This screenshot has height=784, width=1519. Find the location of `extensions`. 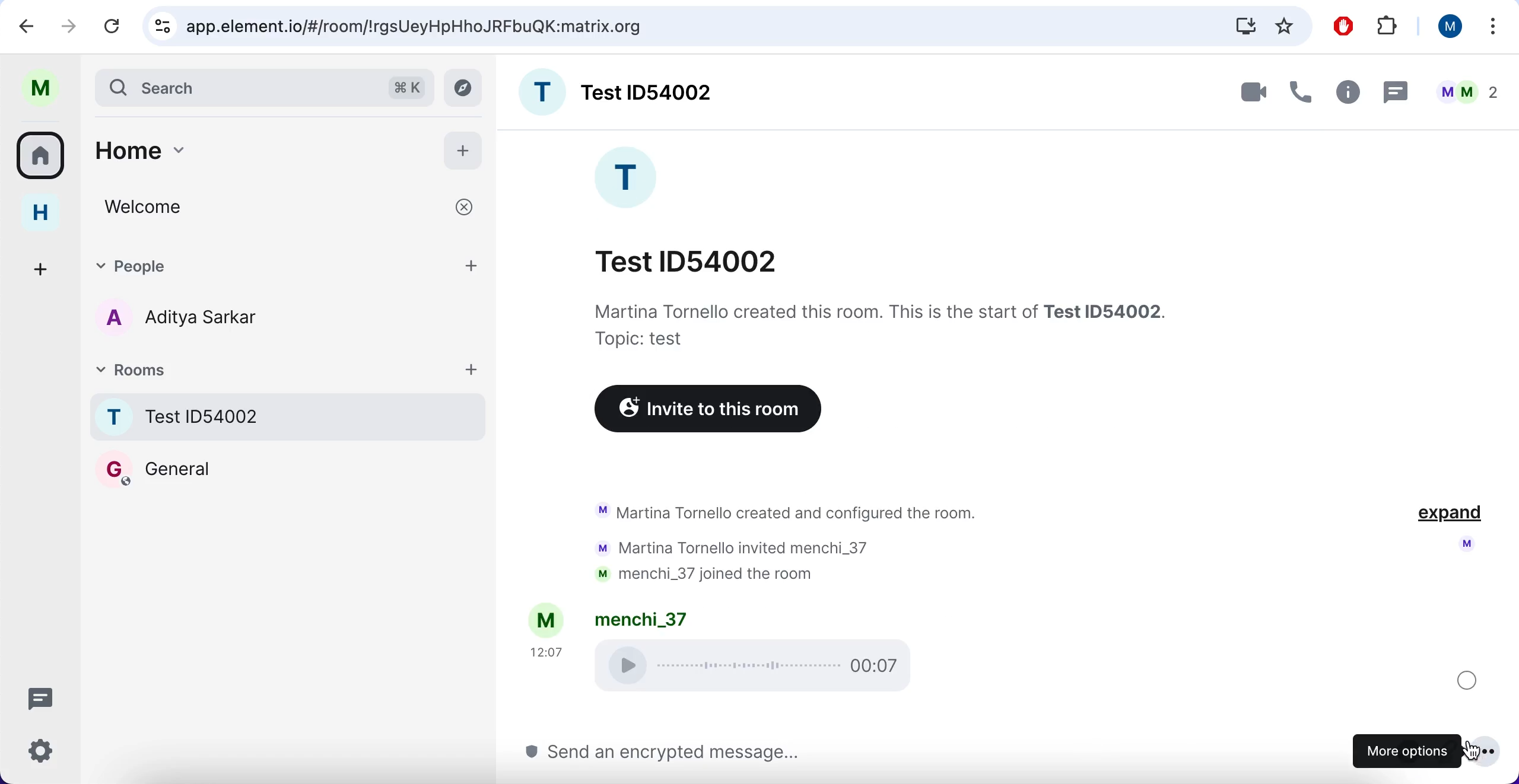

extensions is located at coordinates (1387, 25).